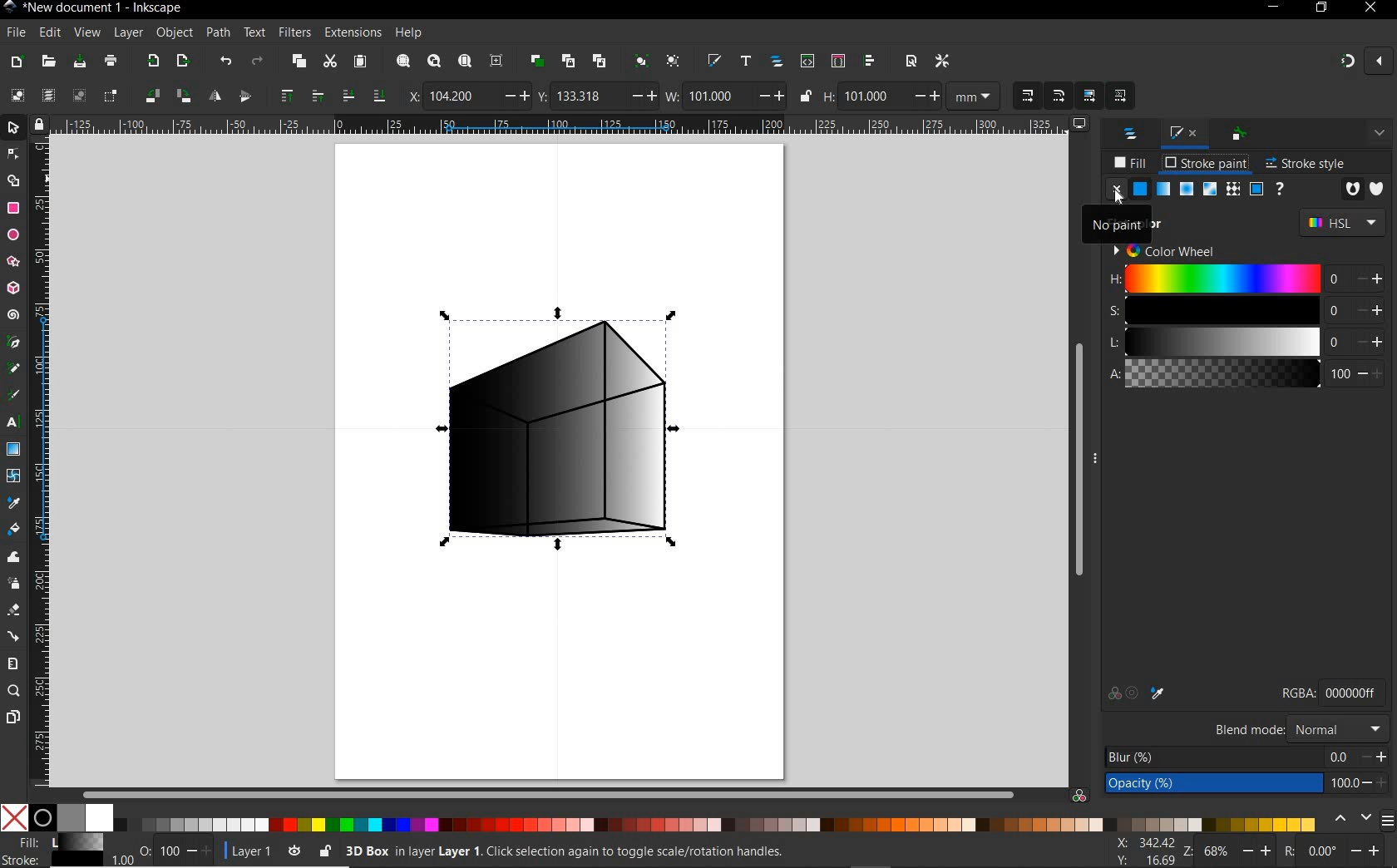  What do you see at coordinates (16, 33) in the screenshot?
I see `FILE` at bounding box center [16, 33].